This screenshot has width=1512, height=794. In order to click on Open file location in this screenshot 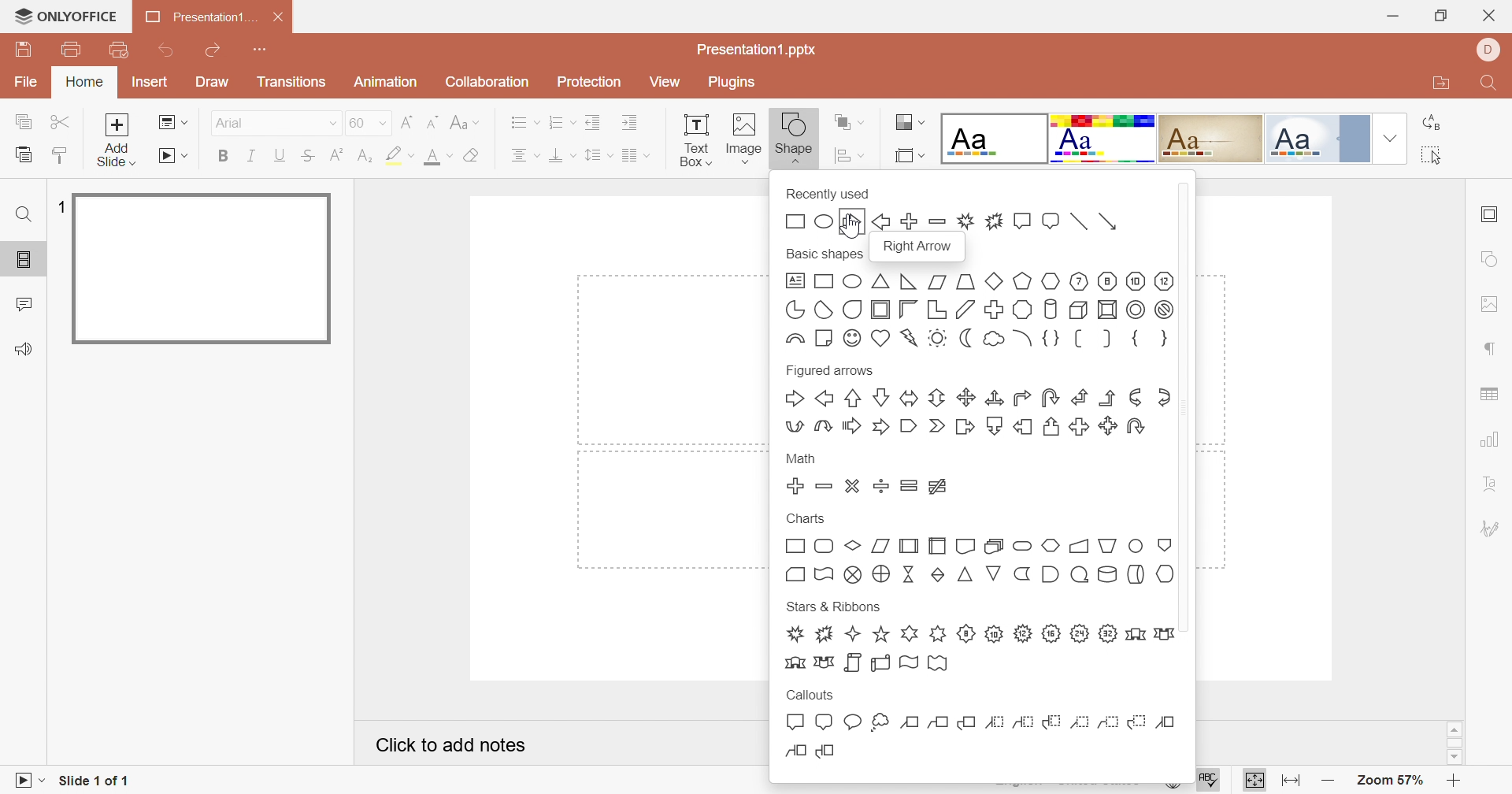, I will do `click(1441, 80)`.